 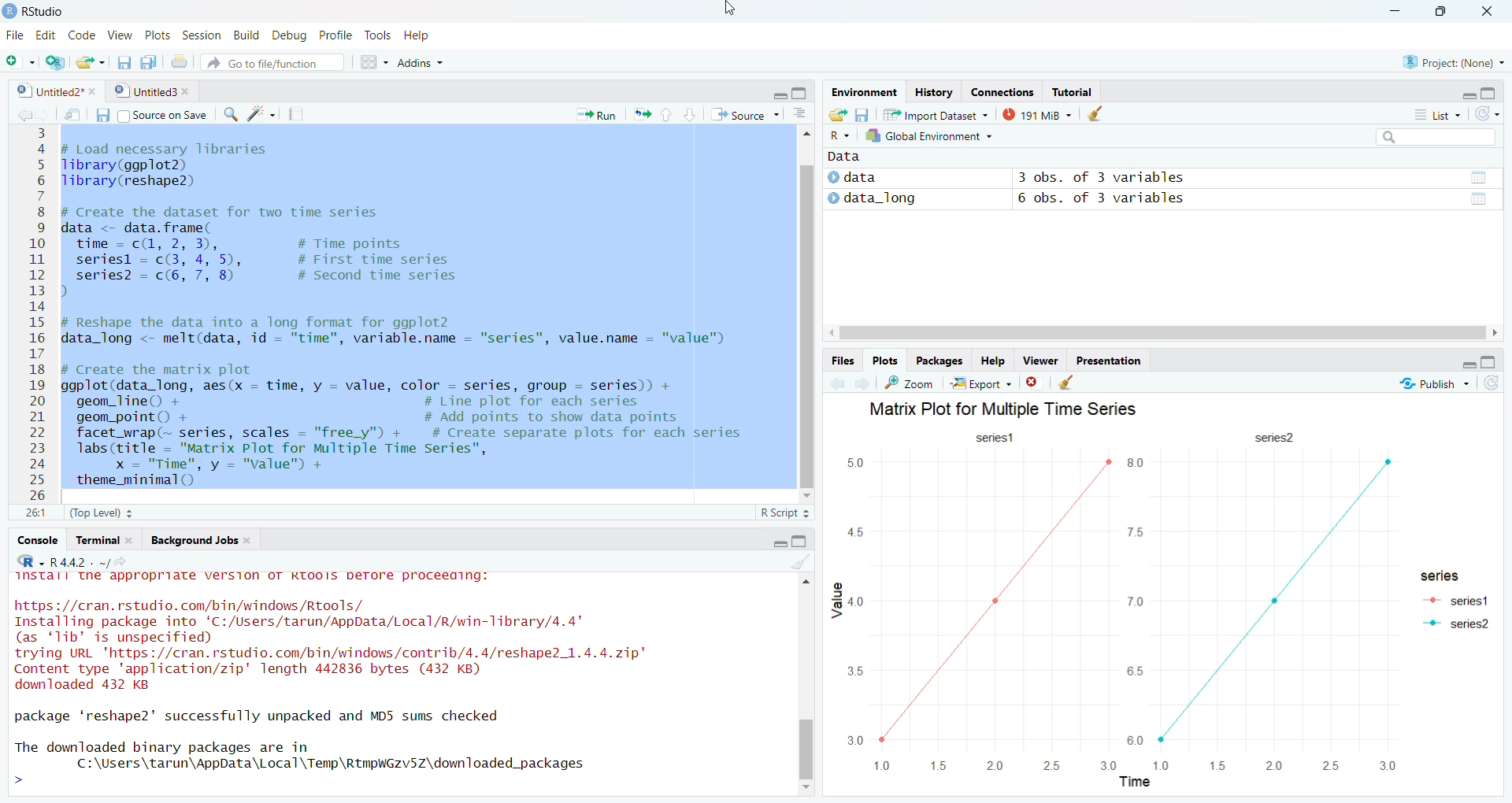 I want to click on minimize, so click(x=777, y=94).